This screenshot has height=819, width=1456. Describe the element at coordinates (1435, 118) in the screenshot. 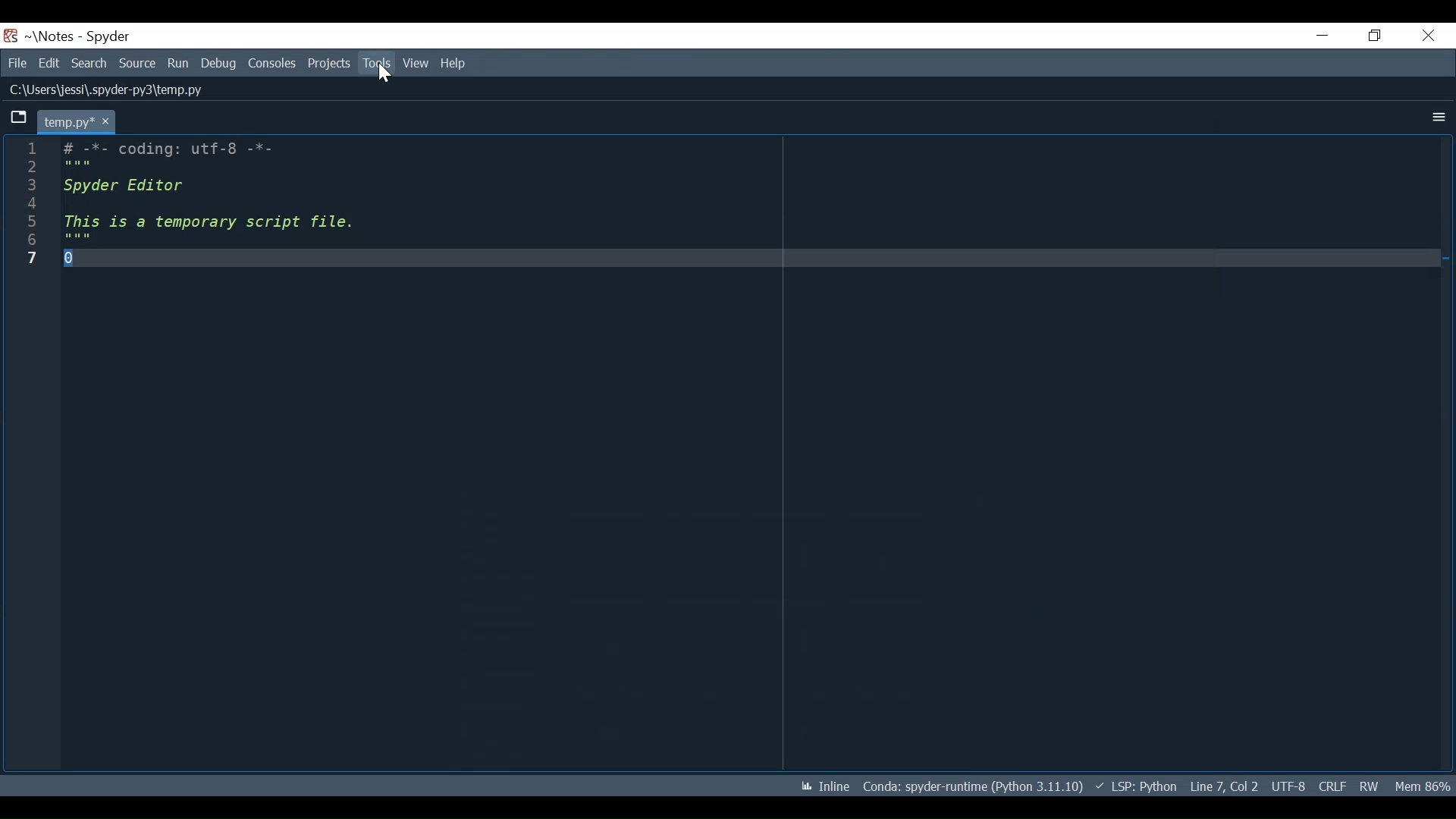

I see `More Options` at that location.